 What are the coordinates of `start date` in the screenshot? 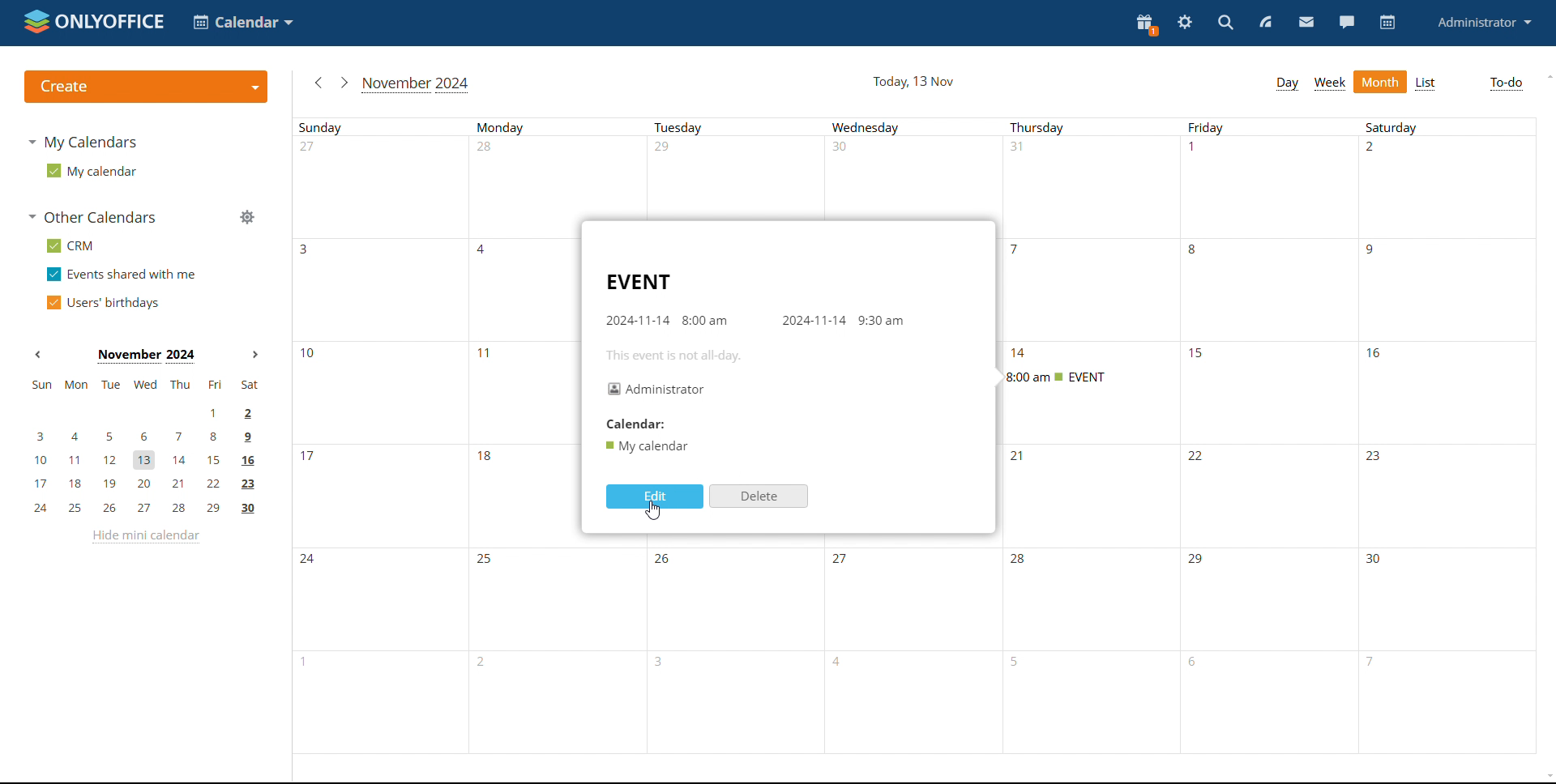 It's located at (637, 320).